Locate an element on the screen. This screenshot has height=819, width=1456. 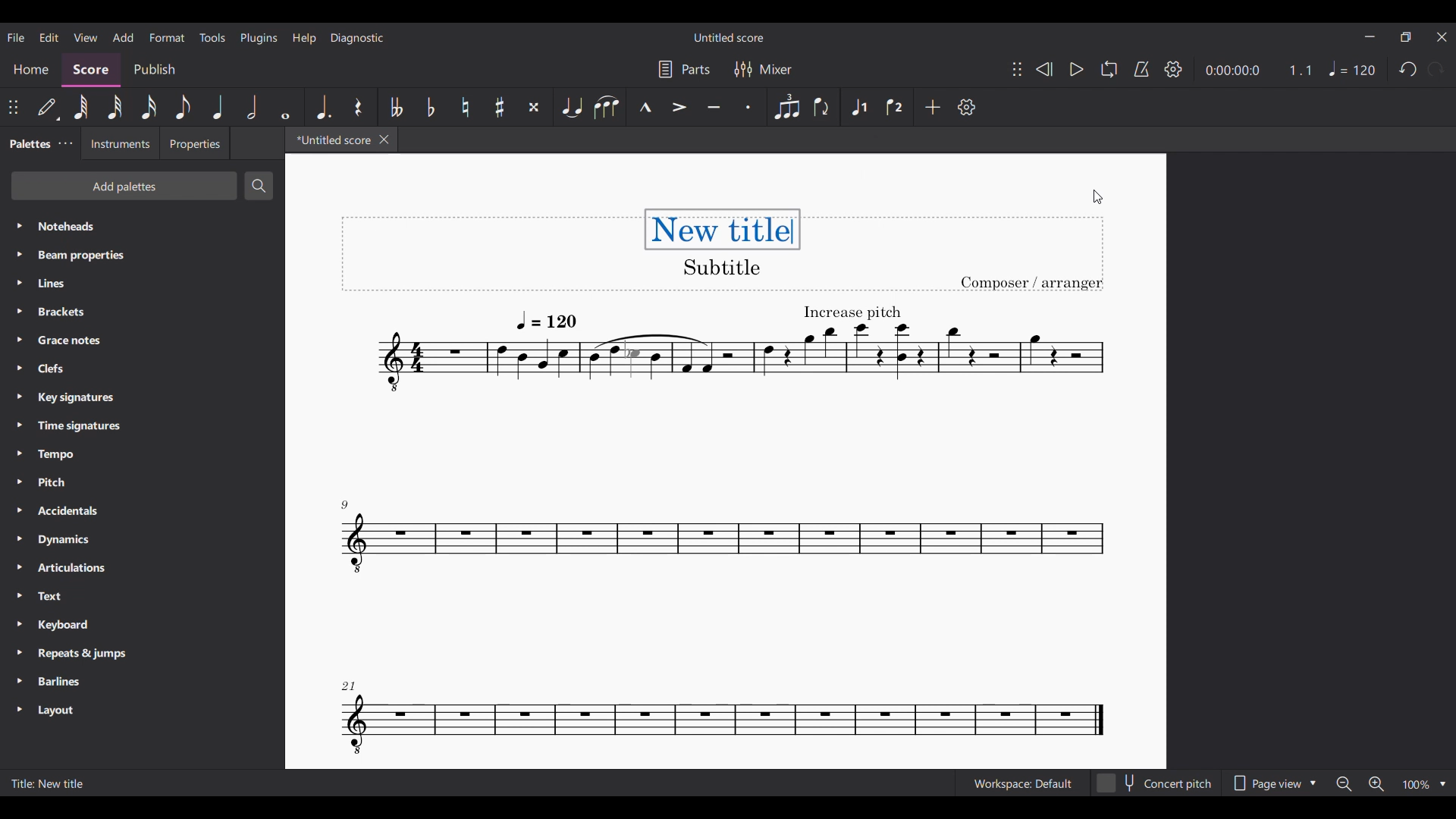
Accent is located at coordinates (679, 107).